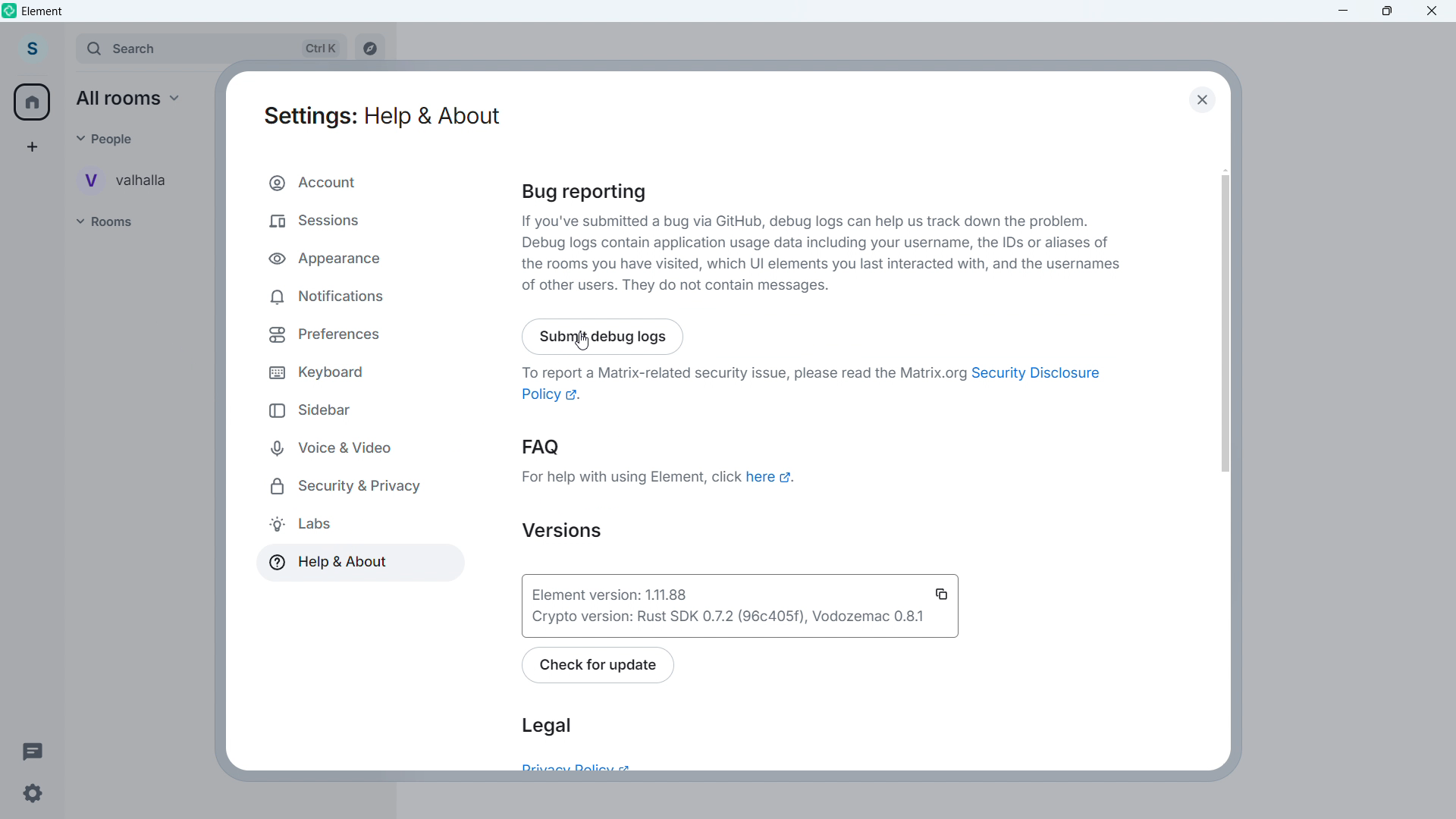 The image size is (1456, 819). Describe the element at coordinates (817, 243) in the screenshot. I see `Debug logs contain application usage data including your username, the IDs or aliases of` at that location.